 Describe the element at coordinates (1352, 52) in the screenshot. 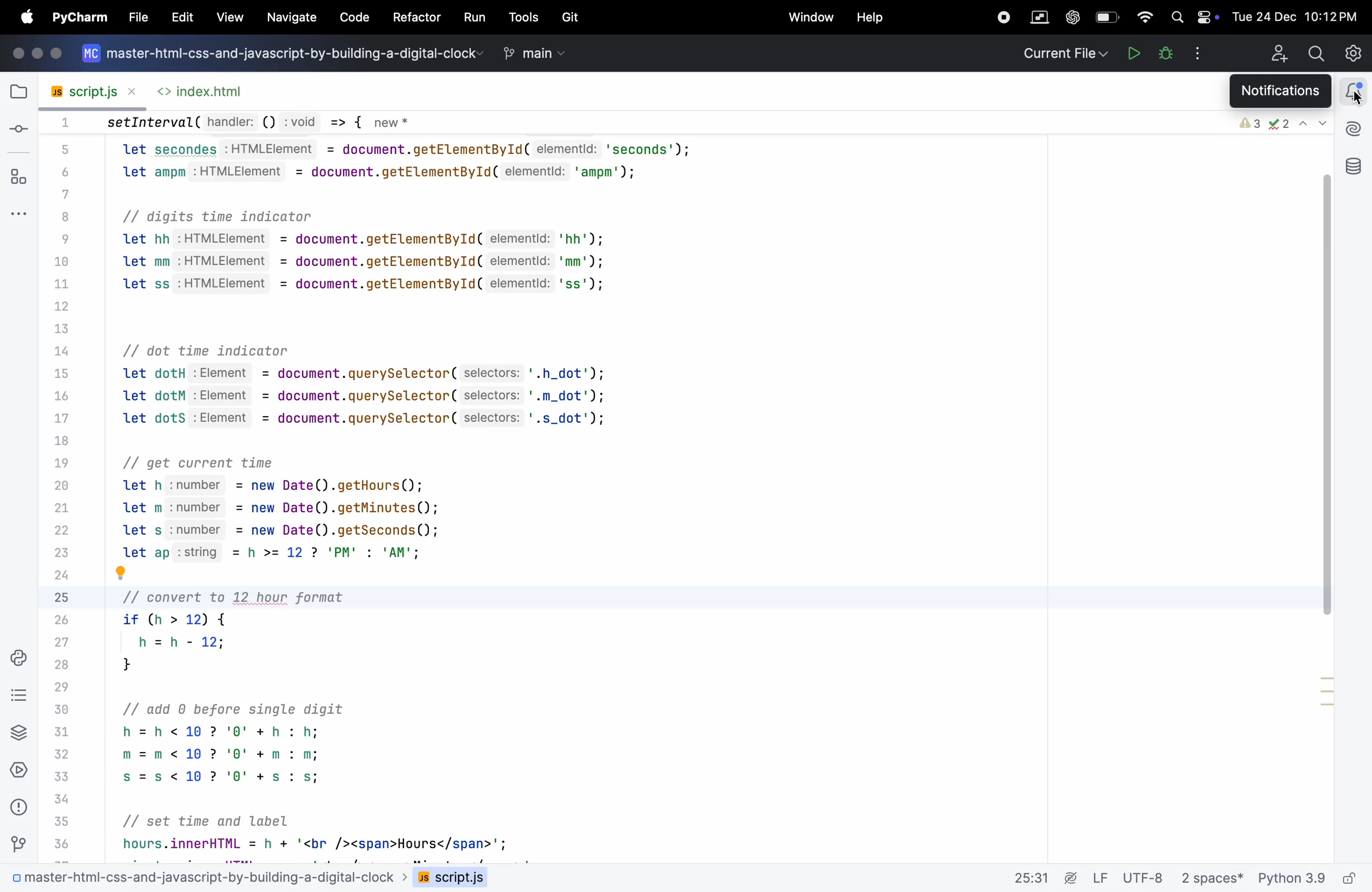

I see `settings` at that location.